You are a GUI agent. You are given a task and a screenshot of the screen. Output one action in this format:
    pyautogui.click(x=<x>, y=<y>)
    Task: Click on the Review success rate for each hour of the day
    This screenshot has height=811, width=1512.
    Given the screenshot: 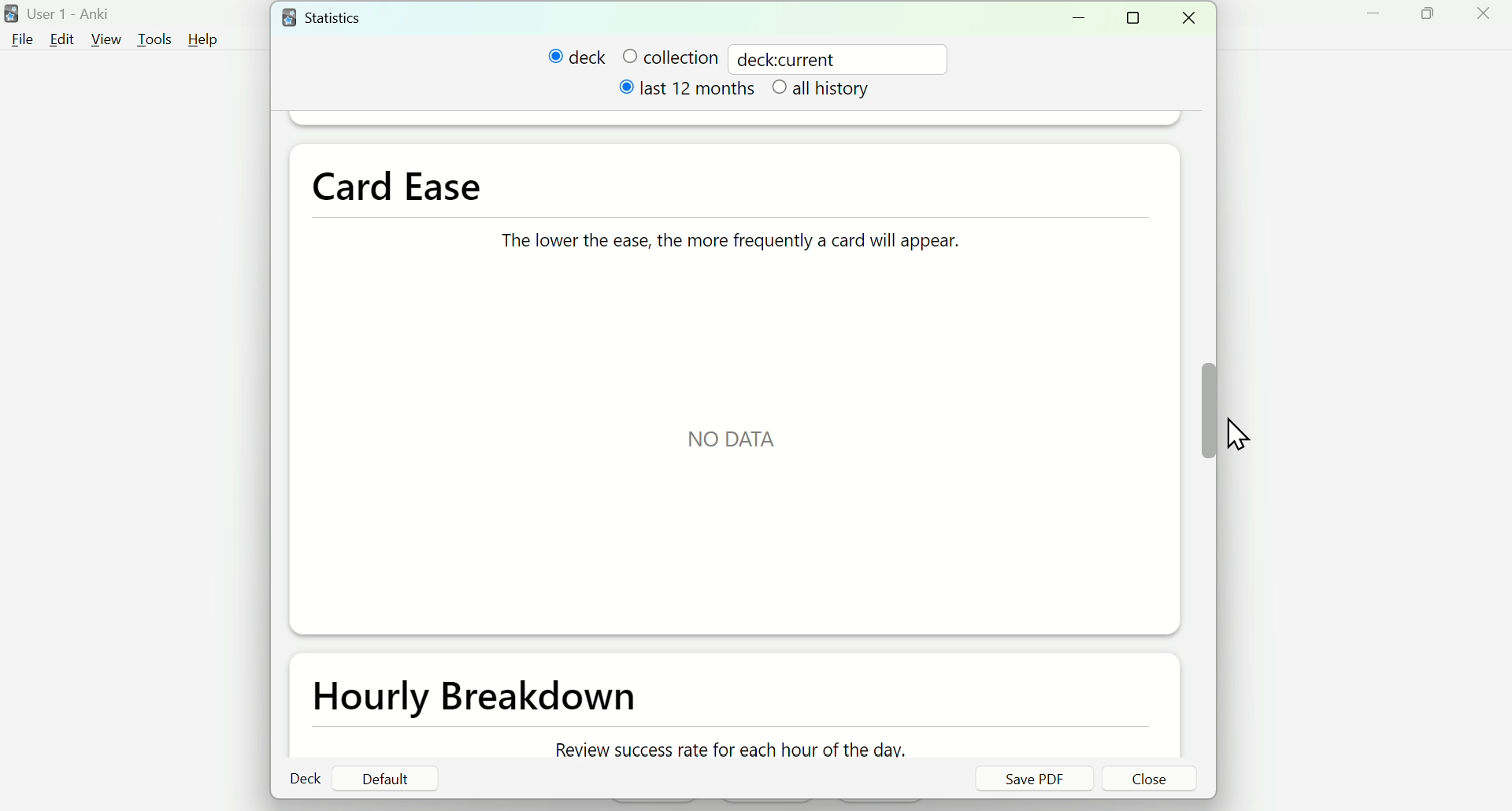 What is the action you would take?
    pyautogui.click(x=726, y=750)
    